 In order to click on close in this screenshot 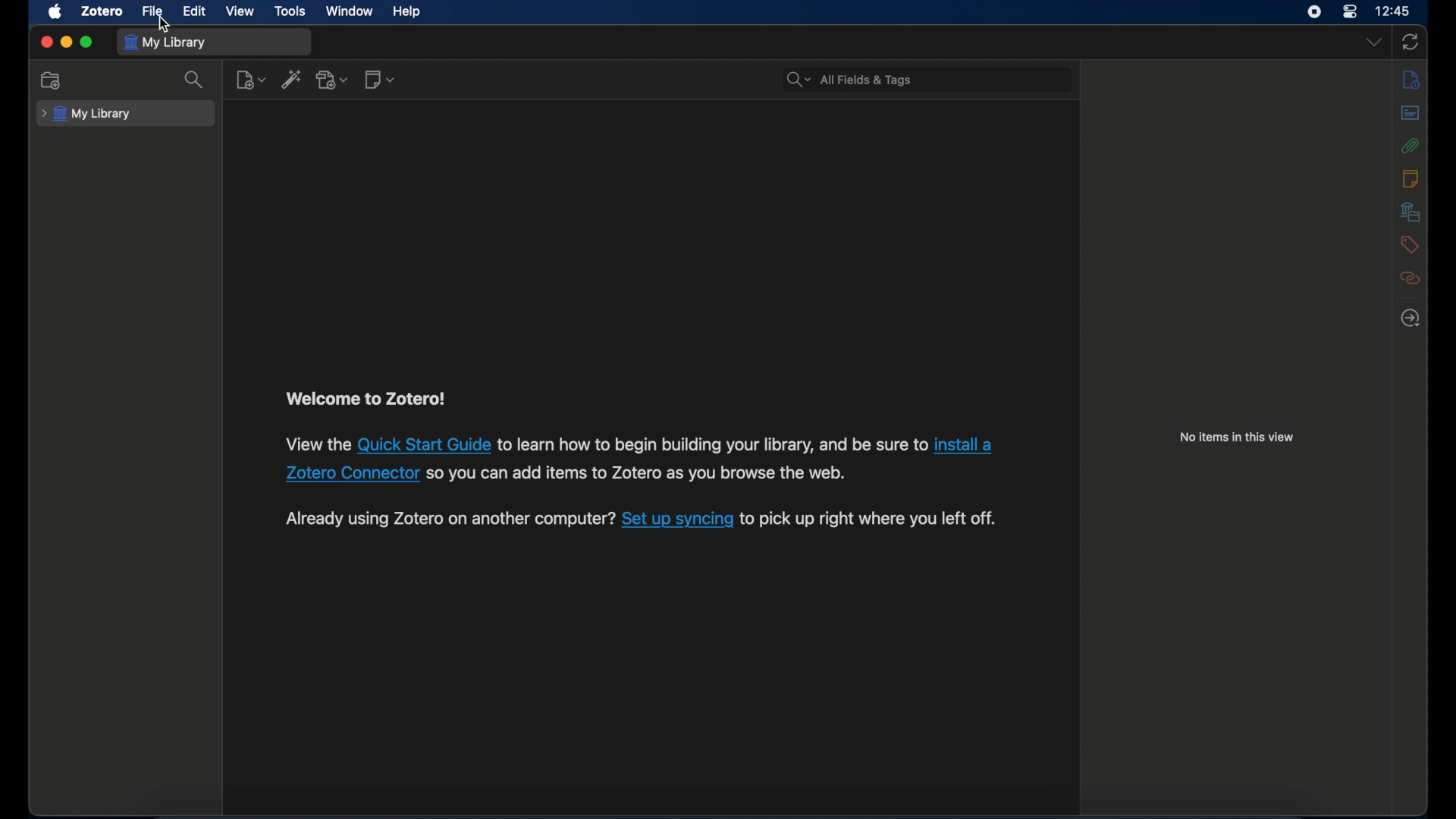, I will do `click(45, 41)`.